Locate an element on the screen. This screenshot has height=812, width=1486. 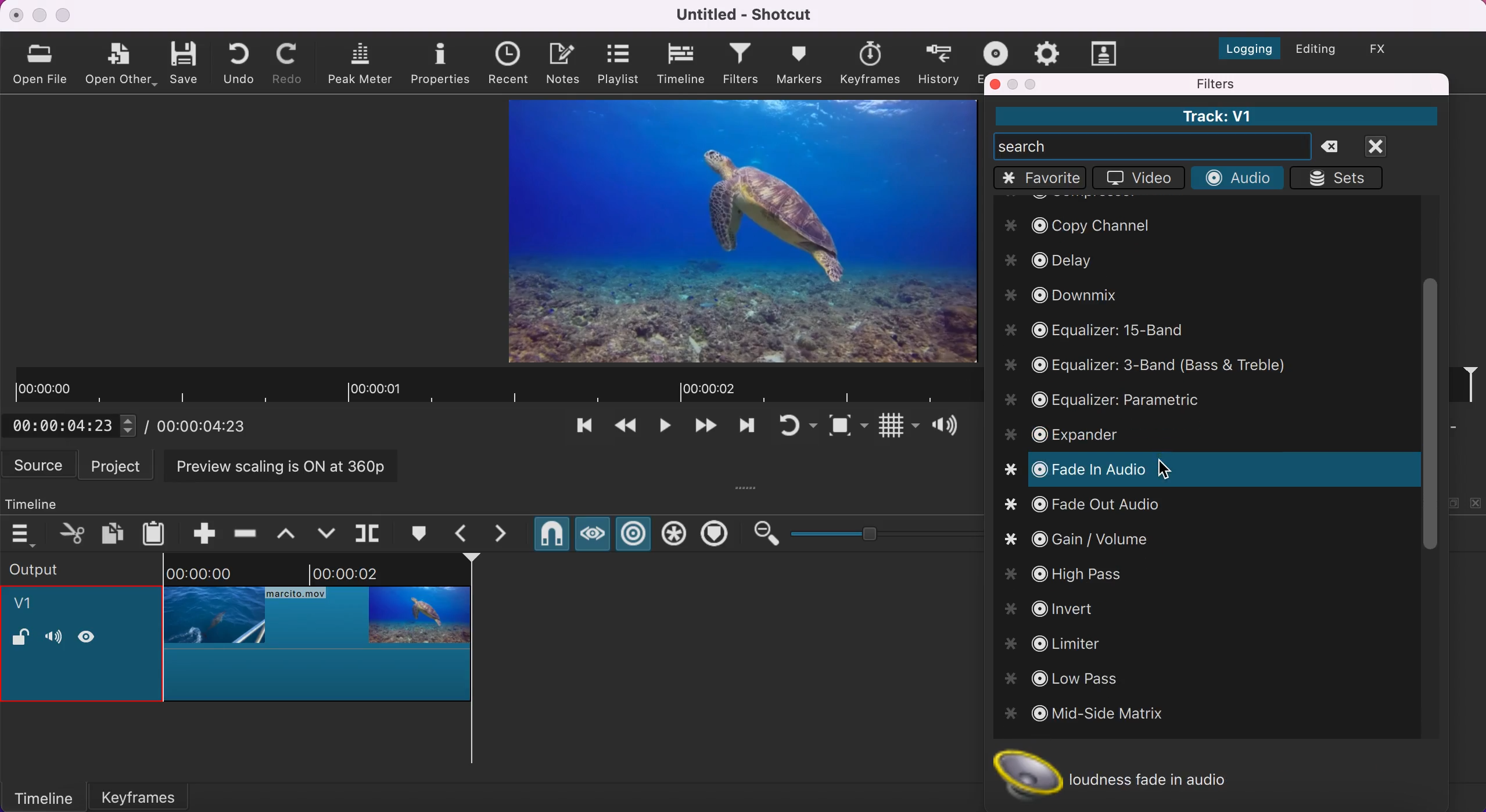
overwrite is located at coordinates (326, 532).